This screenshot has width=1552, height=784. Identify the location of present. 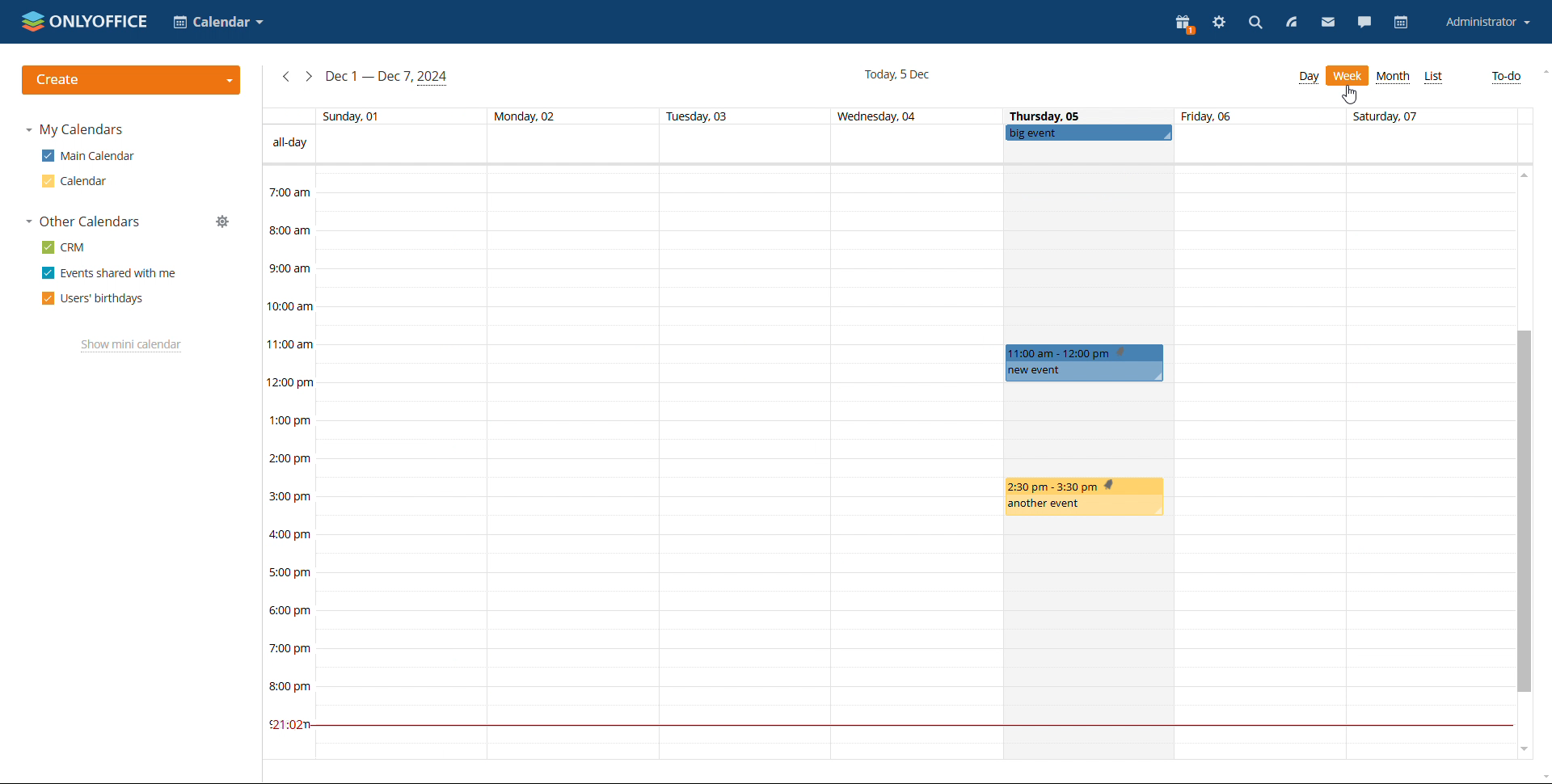
(1182, 23).